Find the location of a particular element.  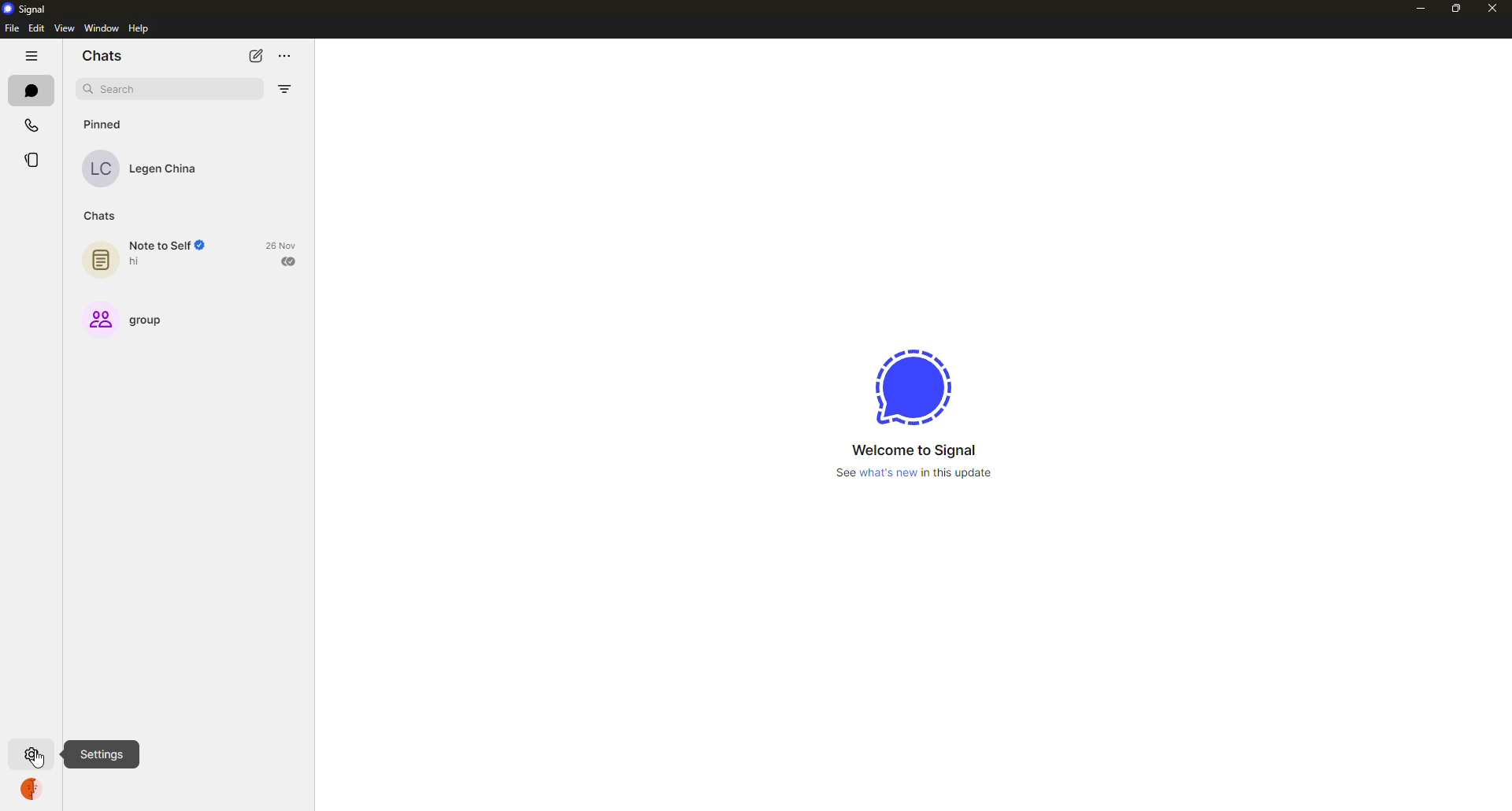

hi is located at coordinates (143, 264).